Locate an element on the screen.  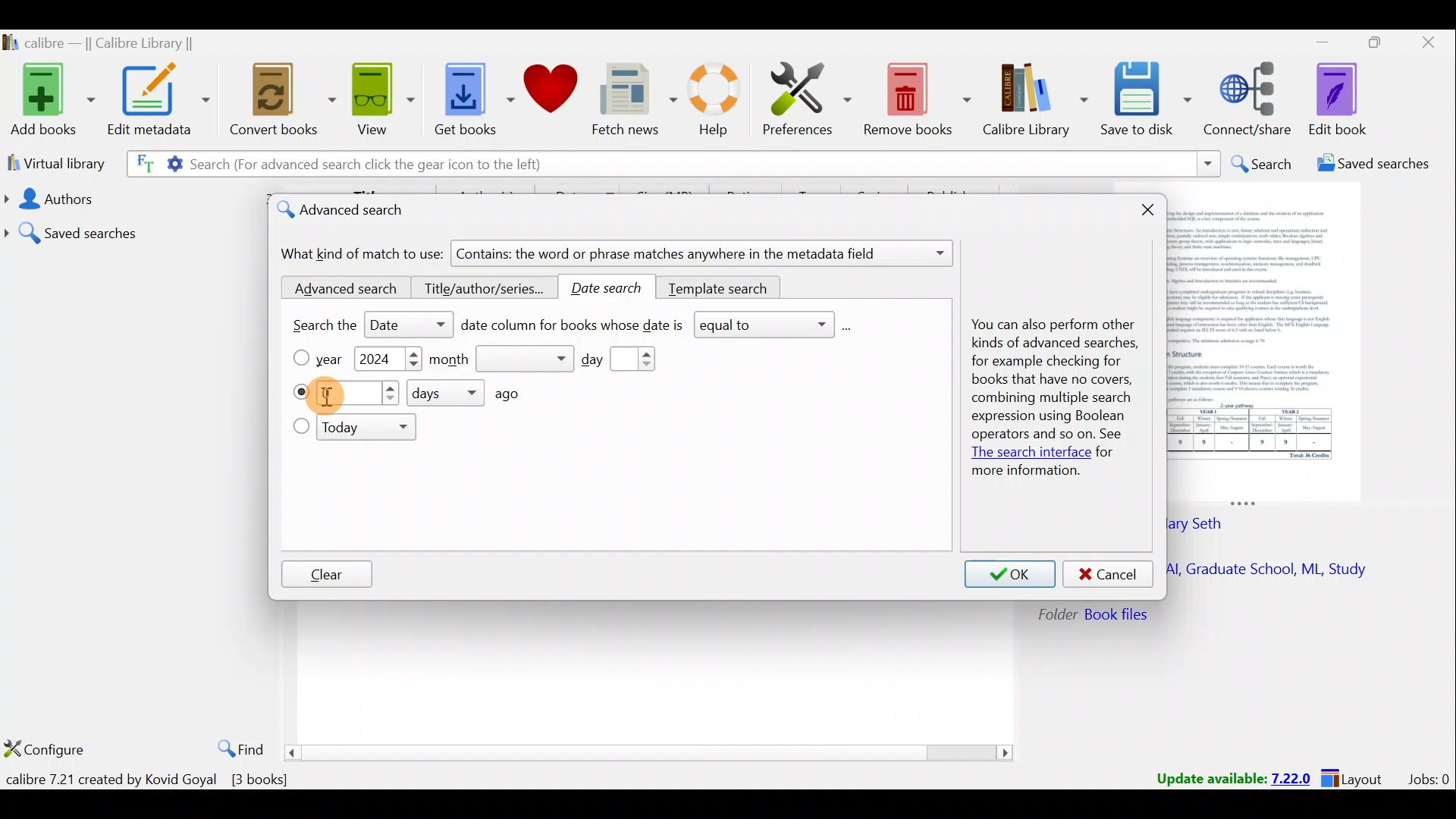
Search dropdown is located at coordinates (1207, 164).